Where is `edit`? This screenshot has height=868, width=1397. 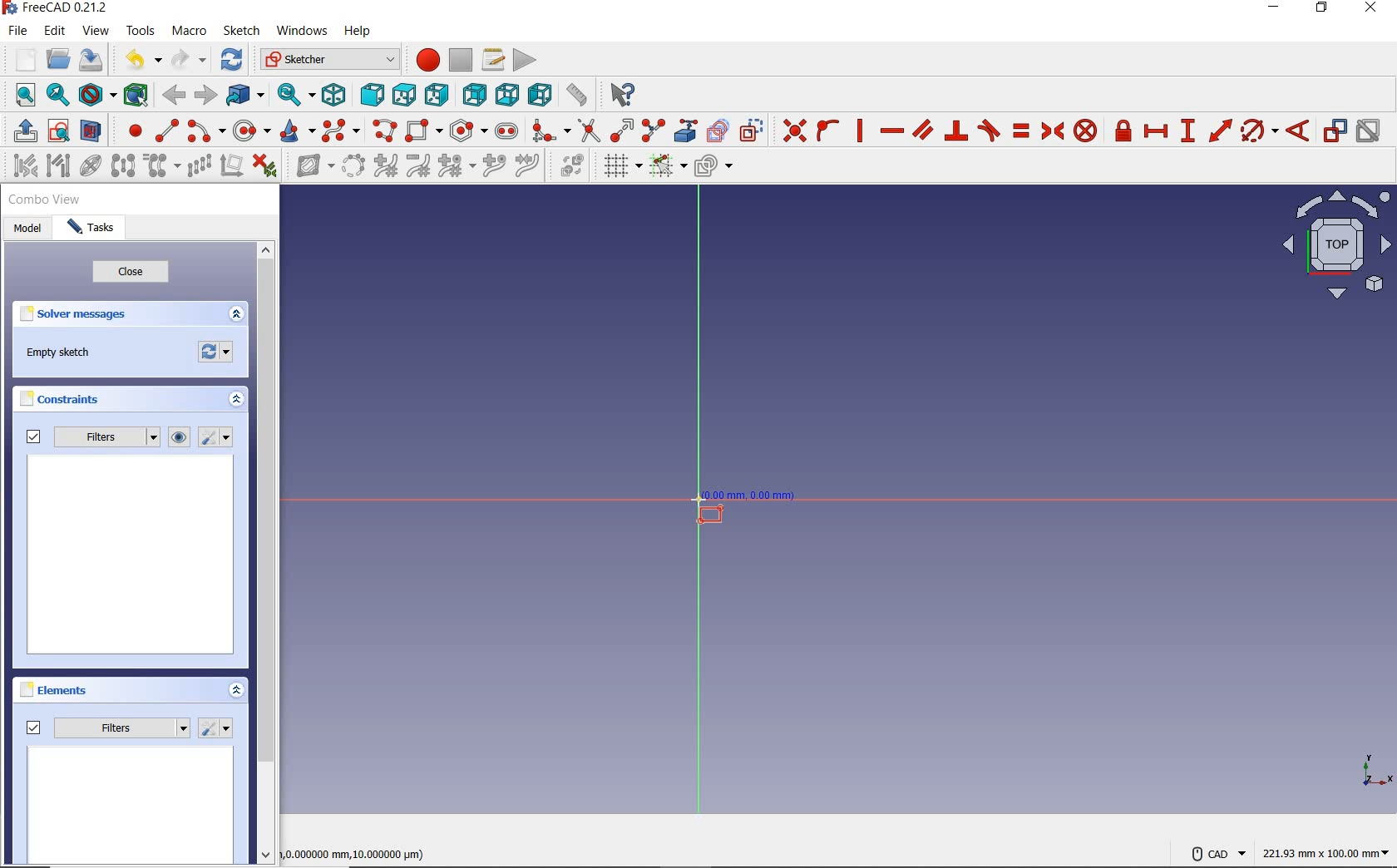 edit is located at coordinates (55, 32).